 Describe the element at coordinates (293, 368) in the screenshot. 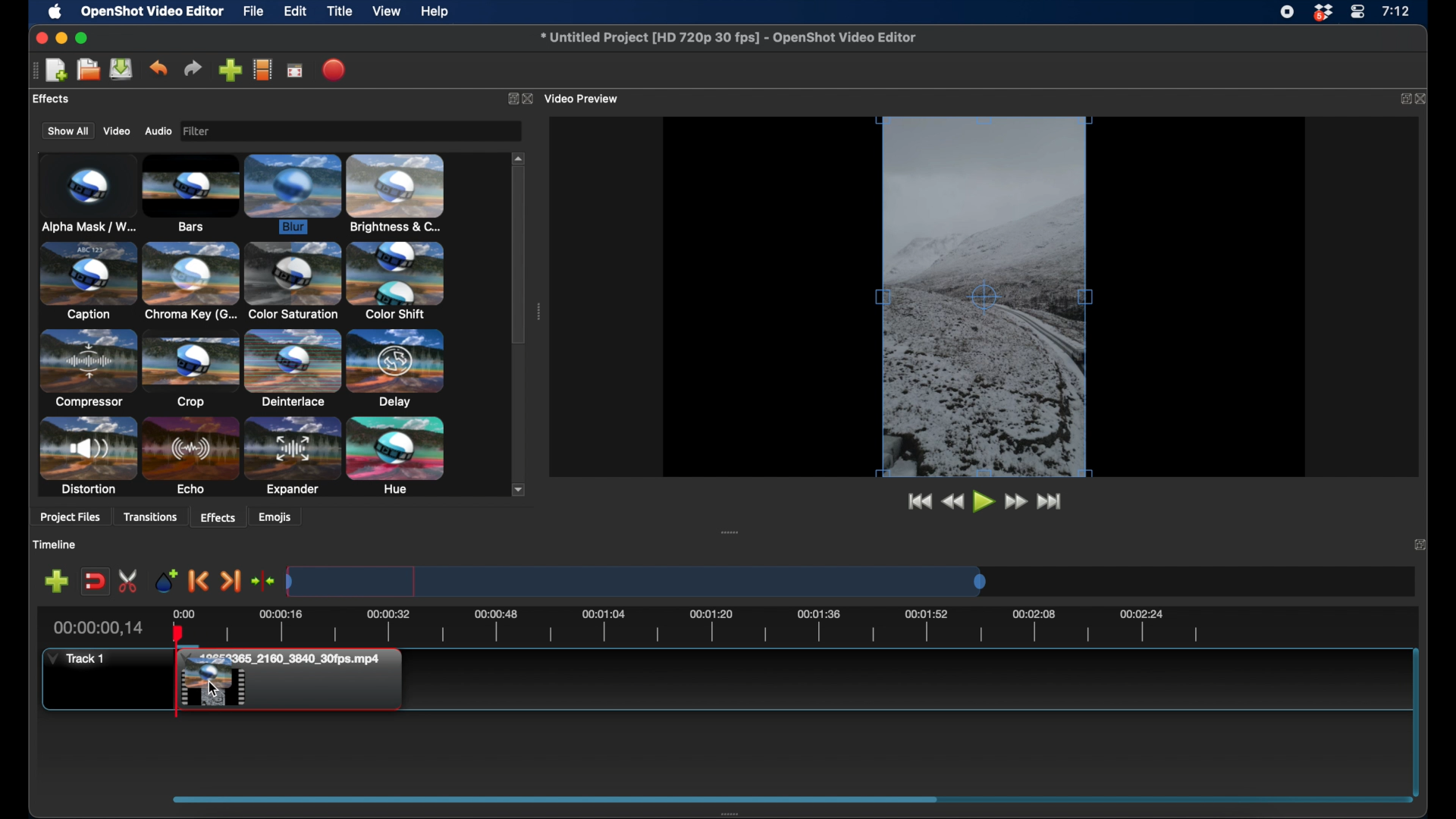

I see `deinterlace` at that location.